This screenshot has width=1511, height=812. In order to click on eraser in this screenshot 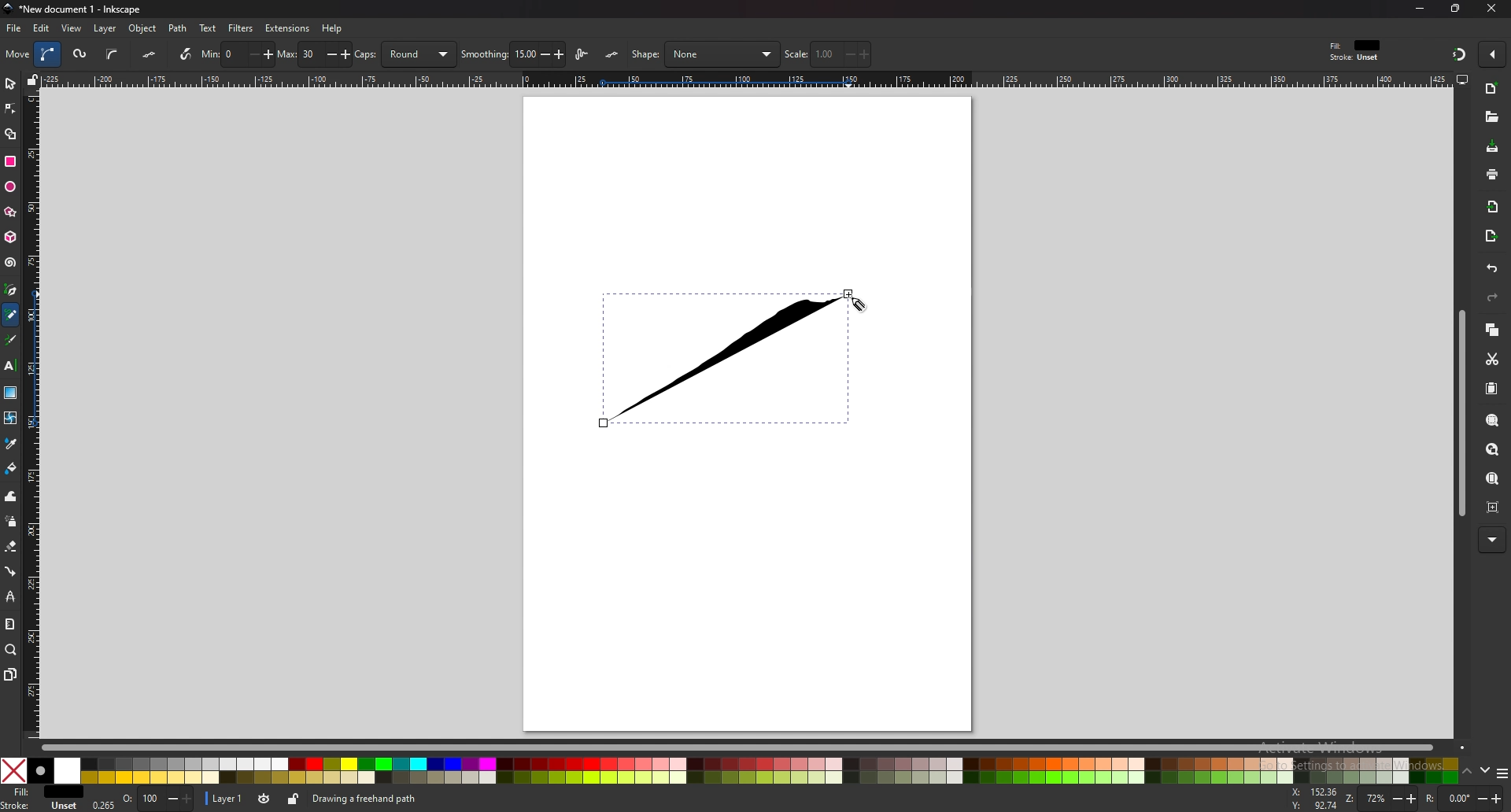, I will do `click(11, 546)`.